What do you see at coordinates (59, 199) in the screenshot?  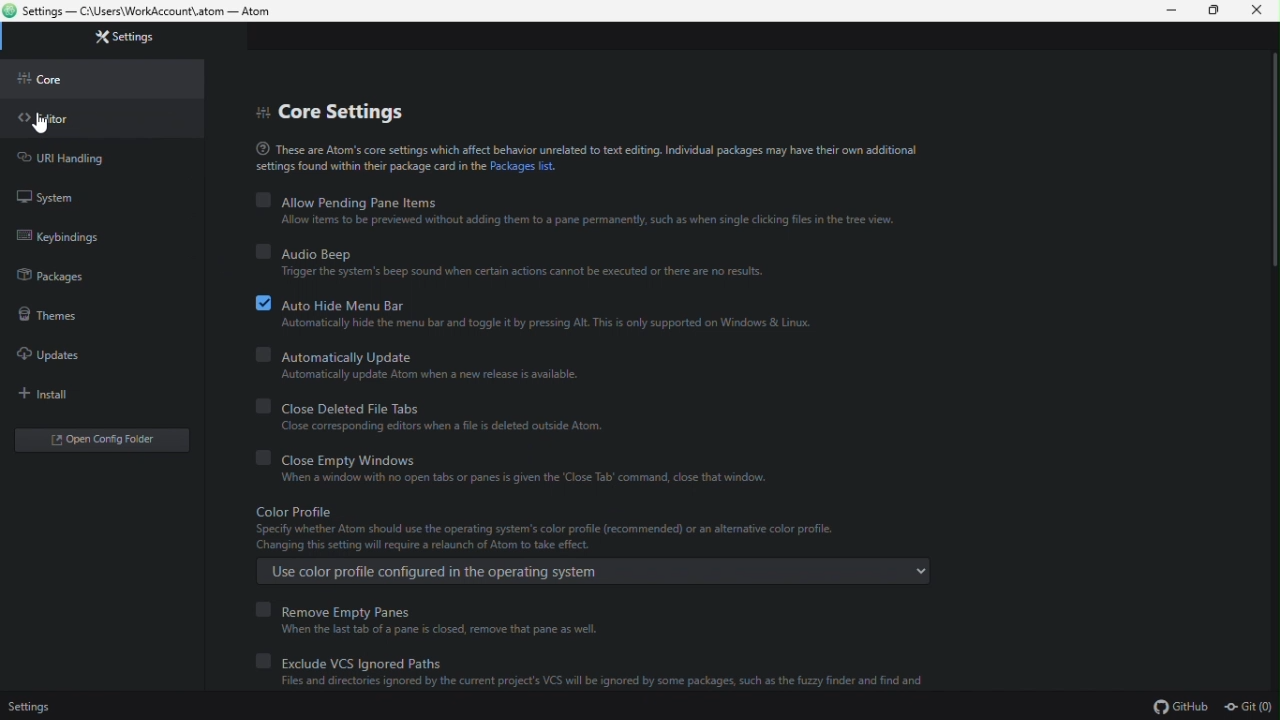 I see `System` at bounding box center [59, 199].